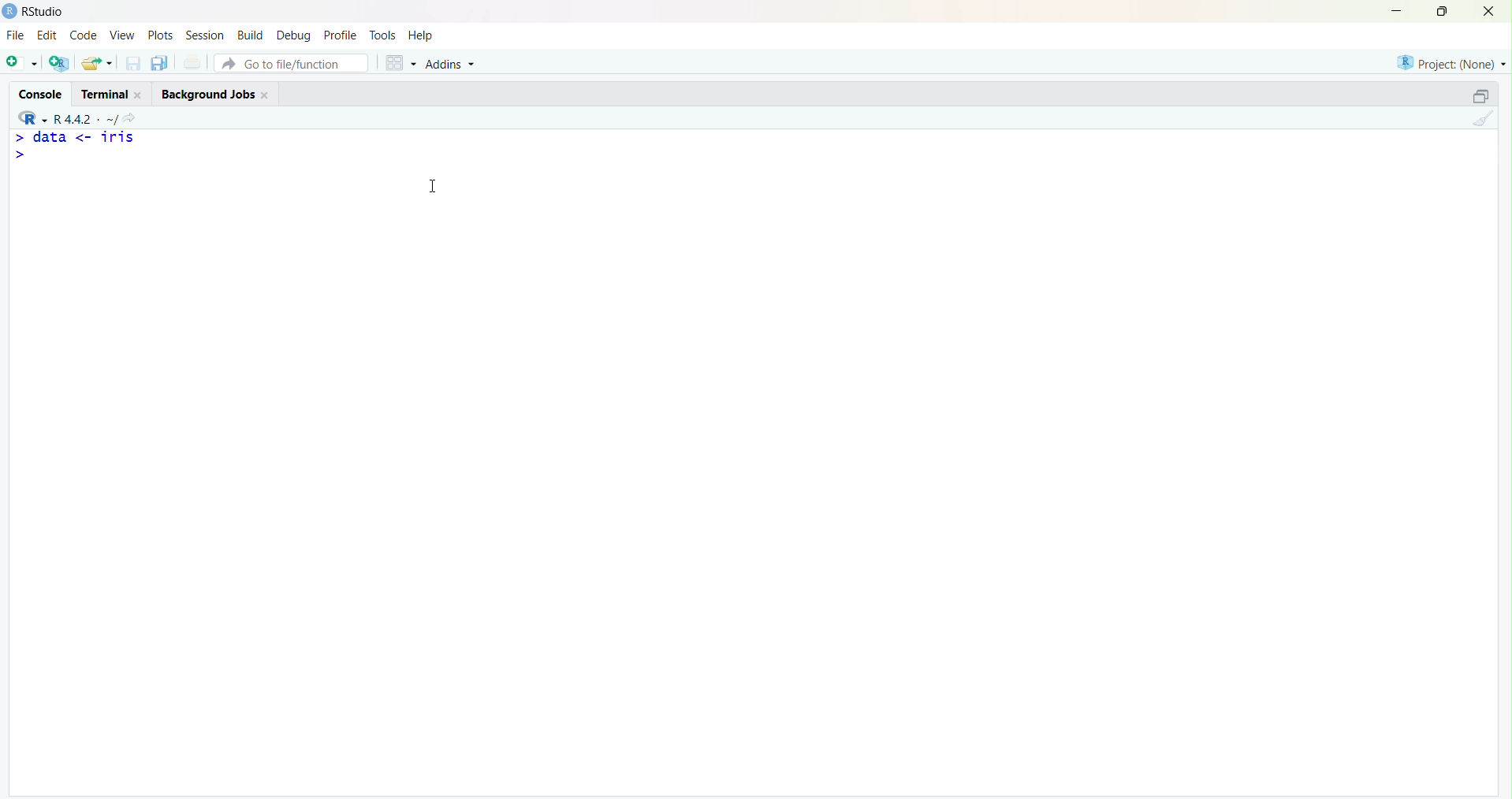 This screenshot has height=799, width=1512. What do you see at coordinates (60, 61) in the screenshot?
I see `Create a project` at bounding box center [60, 61].